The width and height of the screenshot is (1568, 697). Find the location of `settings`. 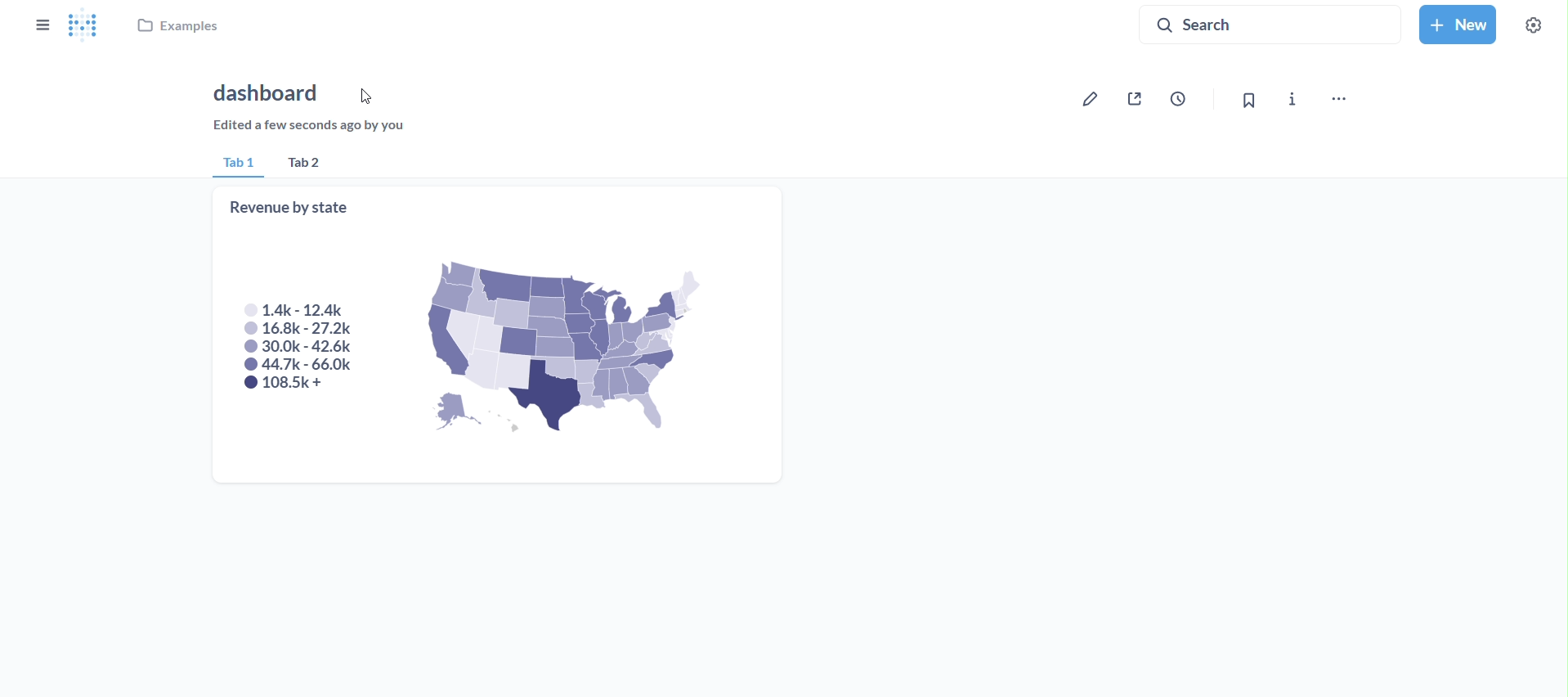

settings is located at coordinates (1530, 24).